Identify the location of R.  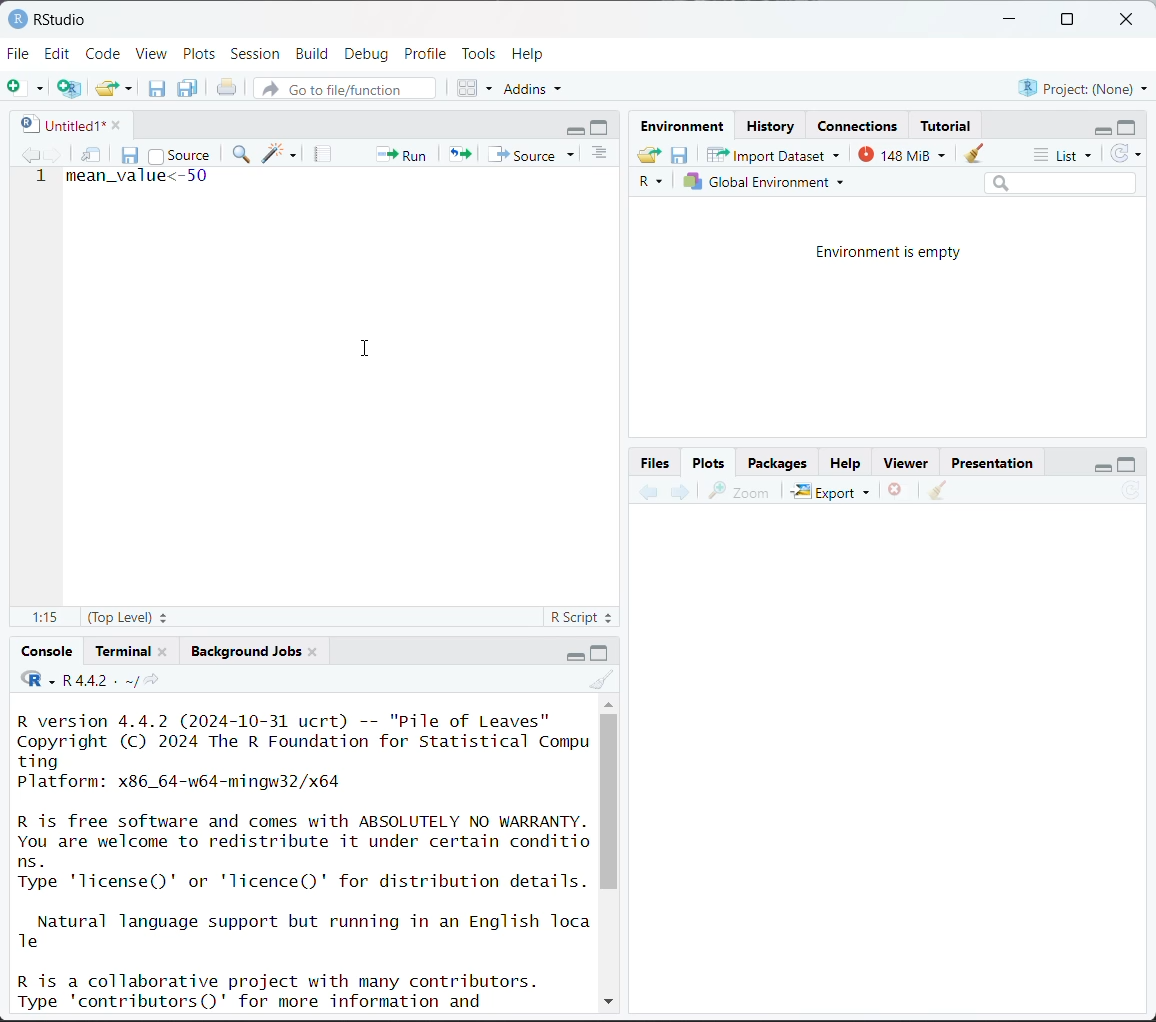
(654, 183).